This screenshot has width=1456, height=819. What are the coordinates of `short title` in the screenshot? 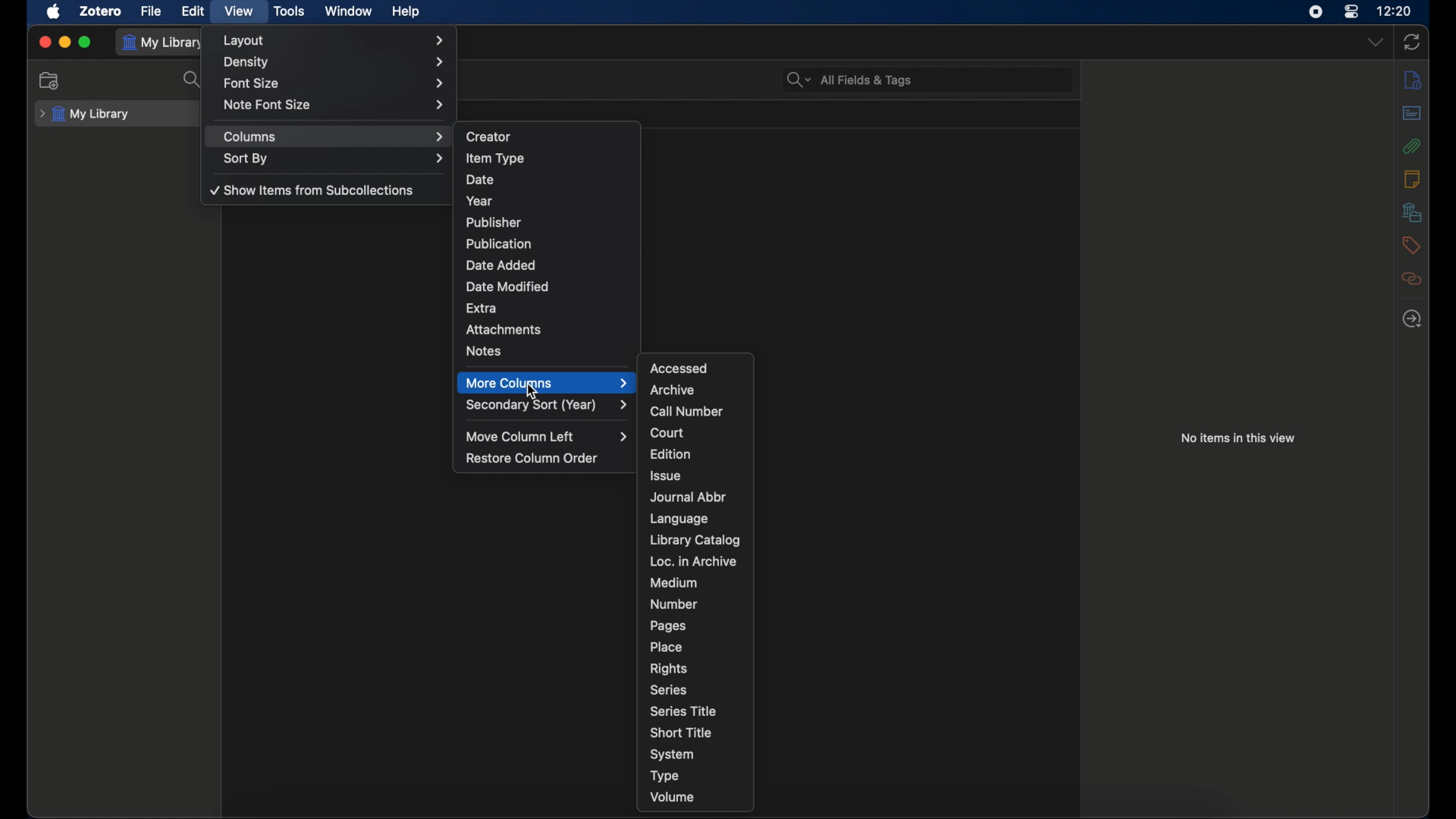 It's located at (681, 732).